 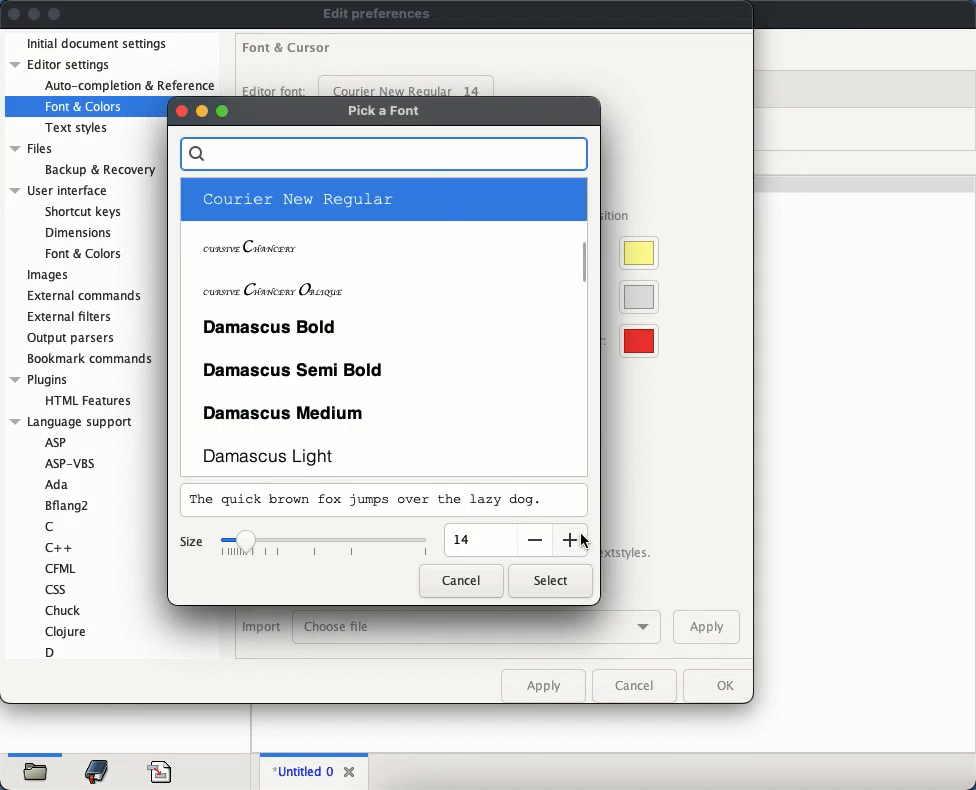 I want to click on c++, so click(x=61, y=547).